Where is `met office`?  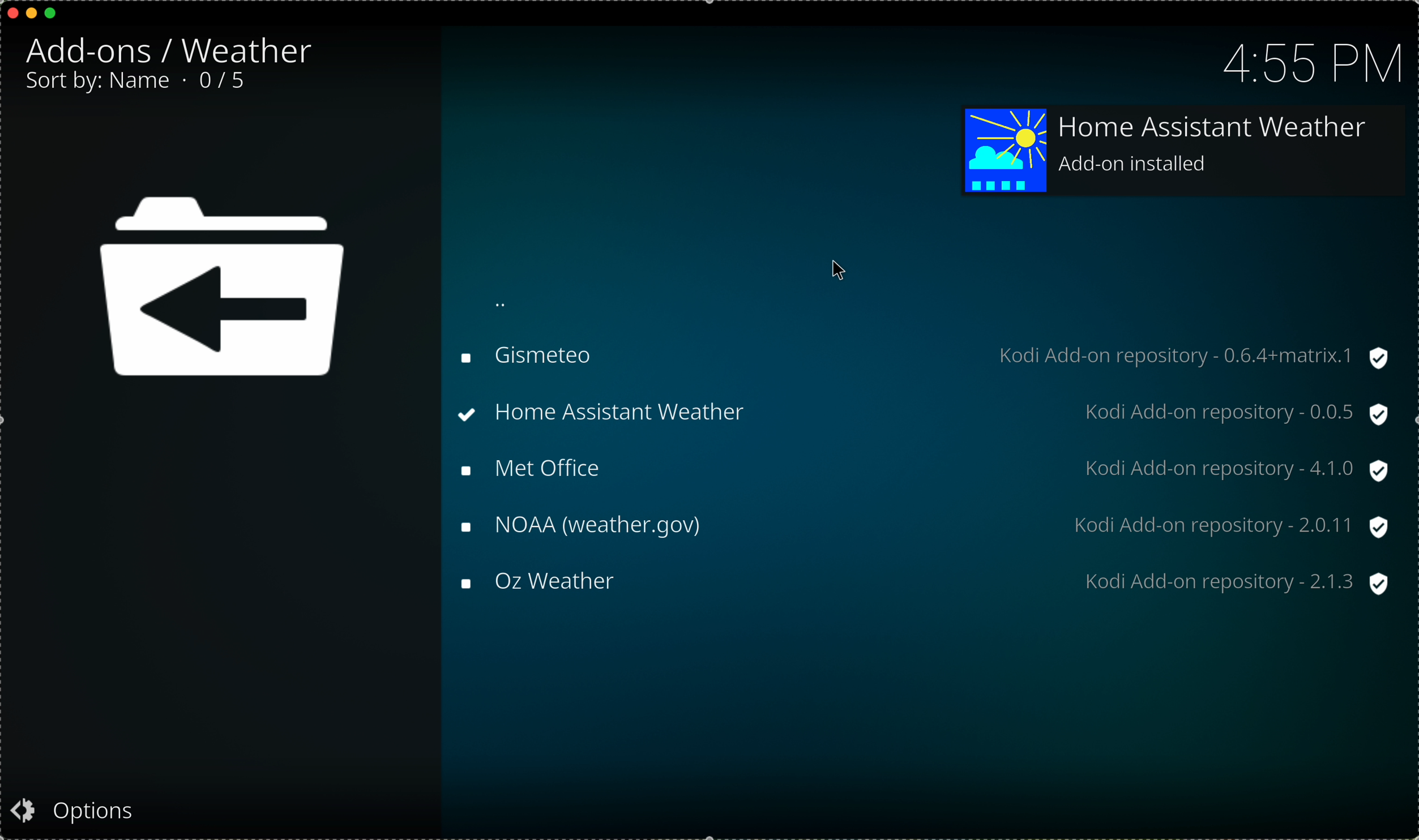 met office is located at coordinates (927, 468).